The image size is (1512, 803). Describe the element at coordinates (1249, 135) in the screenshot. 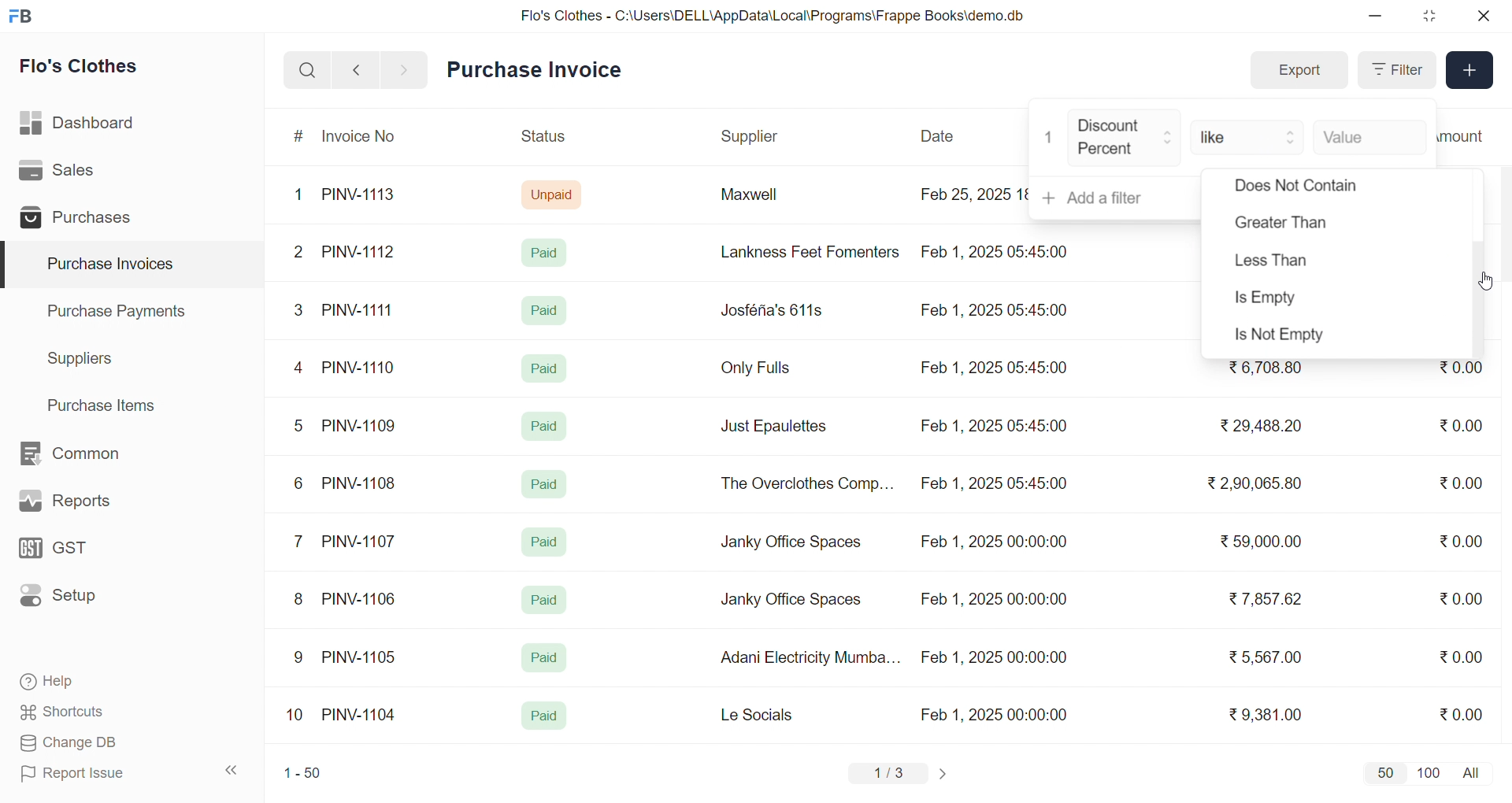

I see `like` at that location.